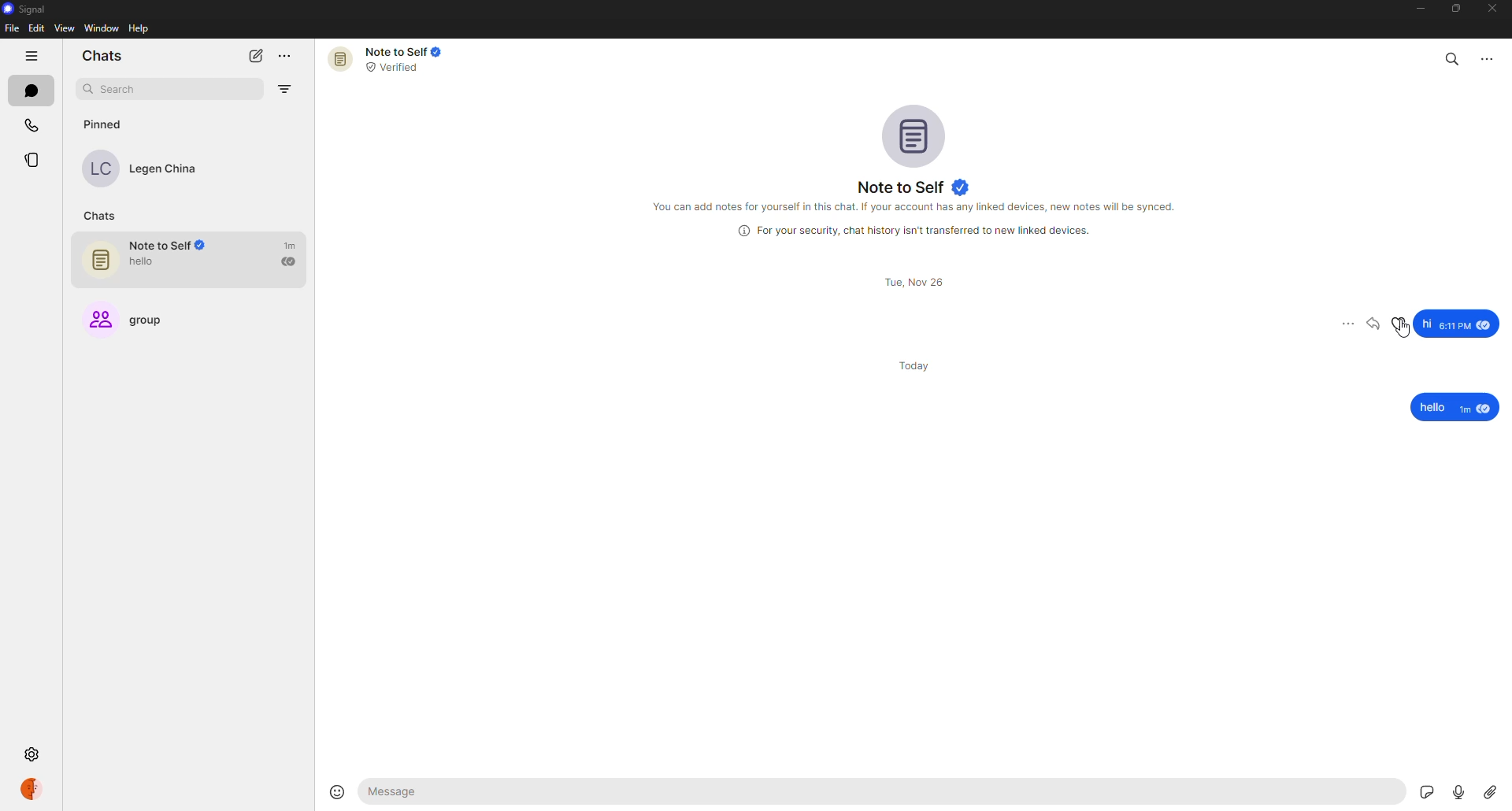 This screenshot has width=1512, height=811. I want to click on attach, so click(1490, 791).